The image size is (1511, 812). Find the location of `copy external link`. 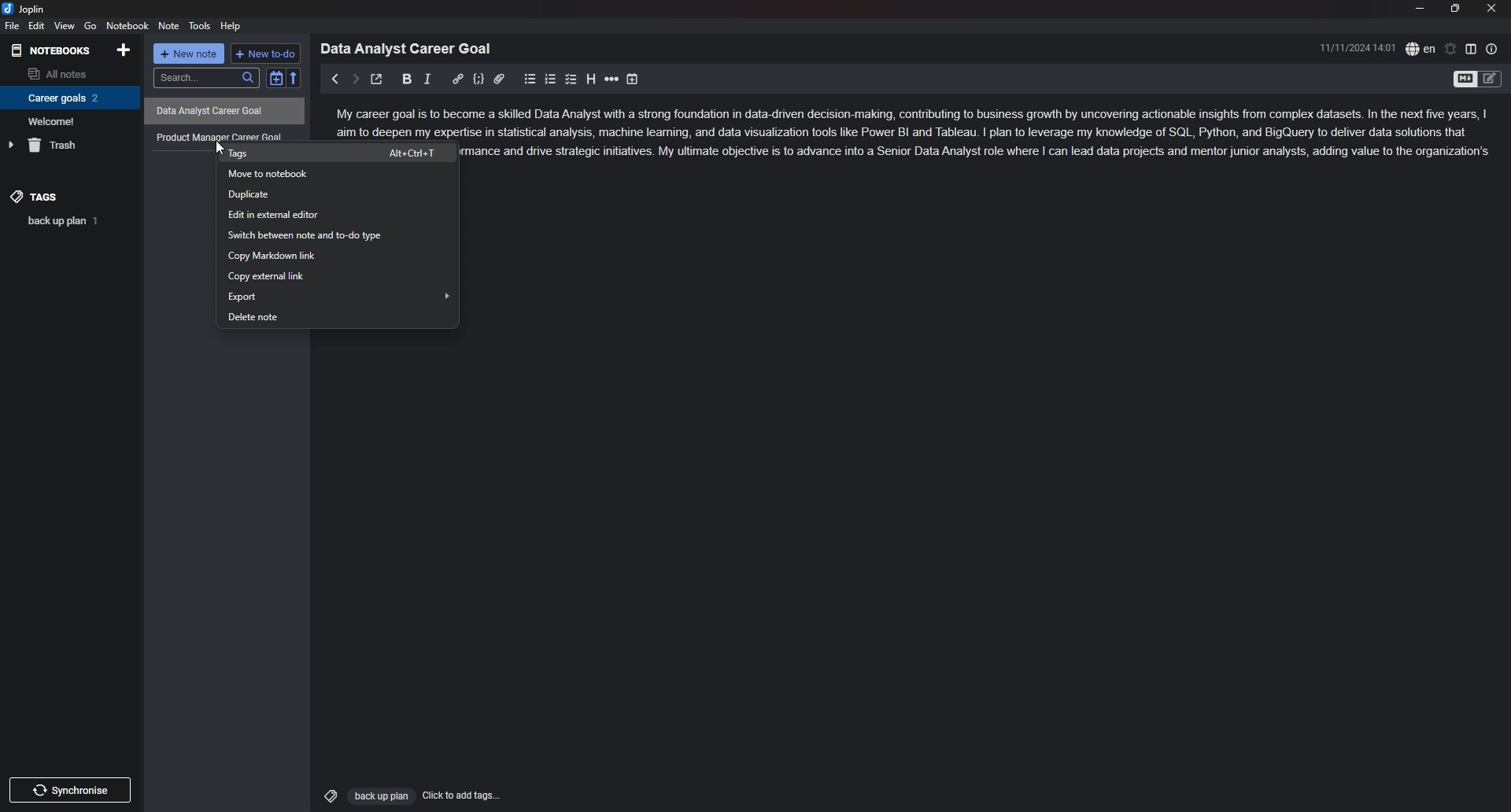

copy external link is located at coordinates (338, 275).